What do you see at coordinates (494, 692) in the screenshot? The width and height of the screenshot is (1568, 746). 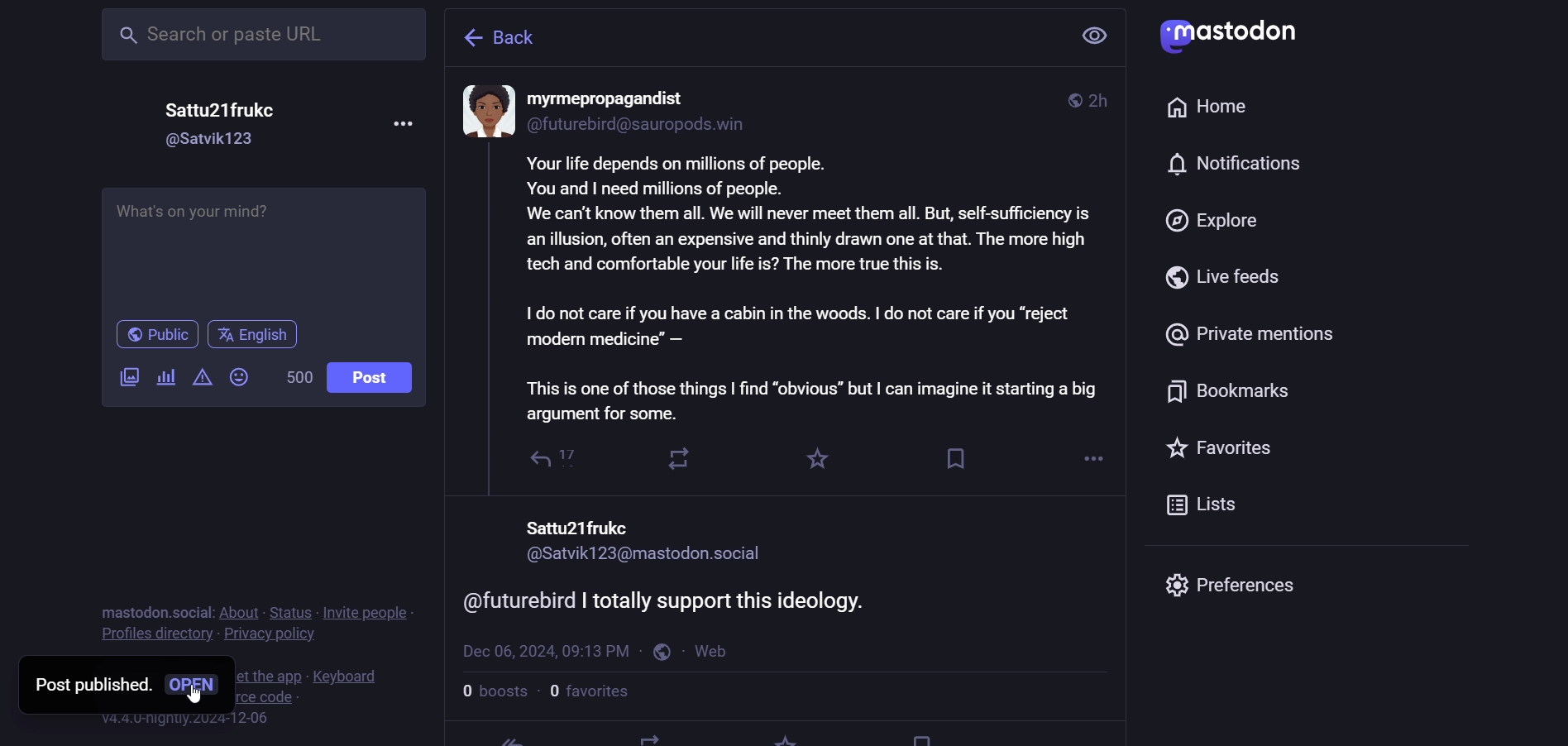 I see `boosts` at bounding box center [494, 692].